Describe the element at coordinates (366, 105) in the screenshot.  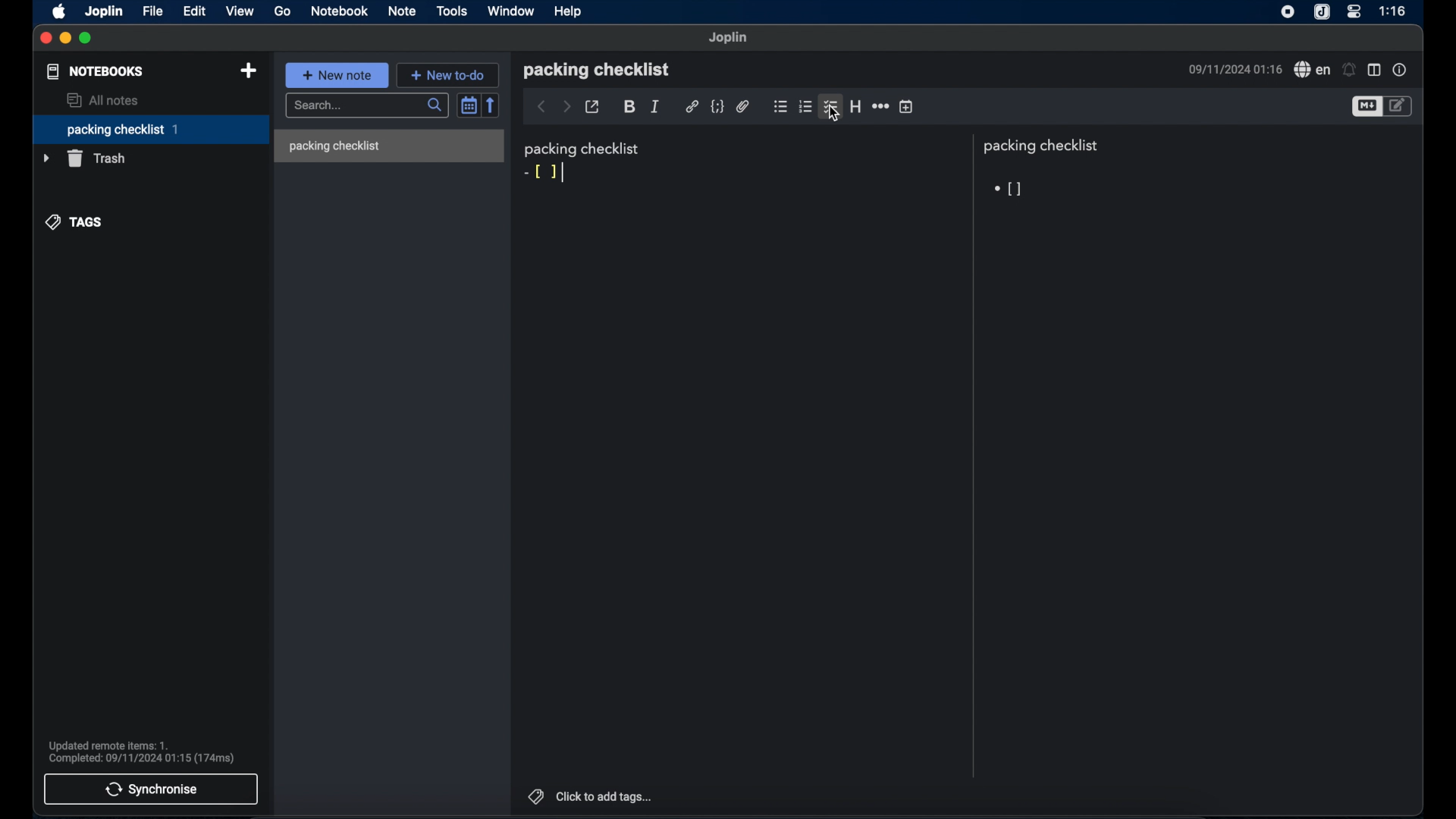
I see `search bar` at that location.